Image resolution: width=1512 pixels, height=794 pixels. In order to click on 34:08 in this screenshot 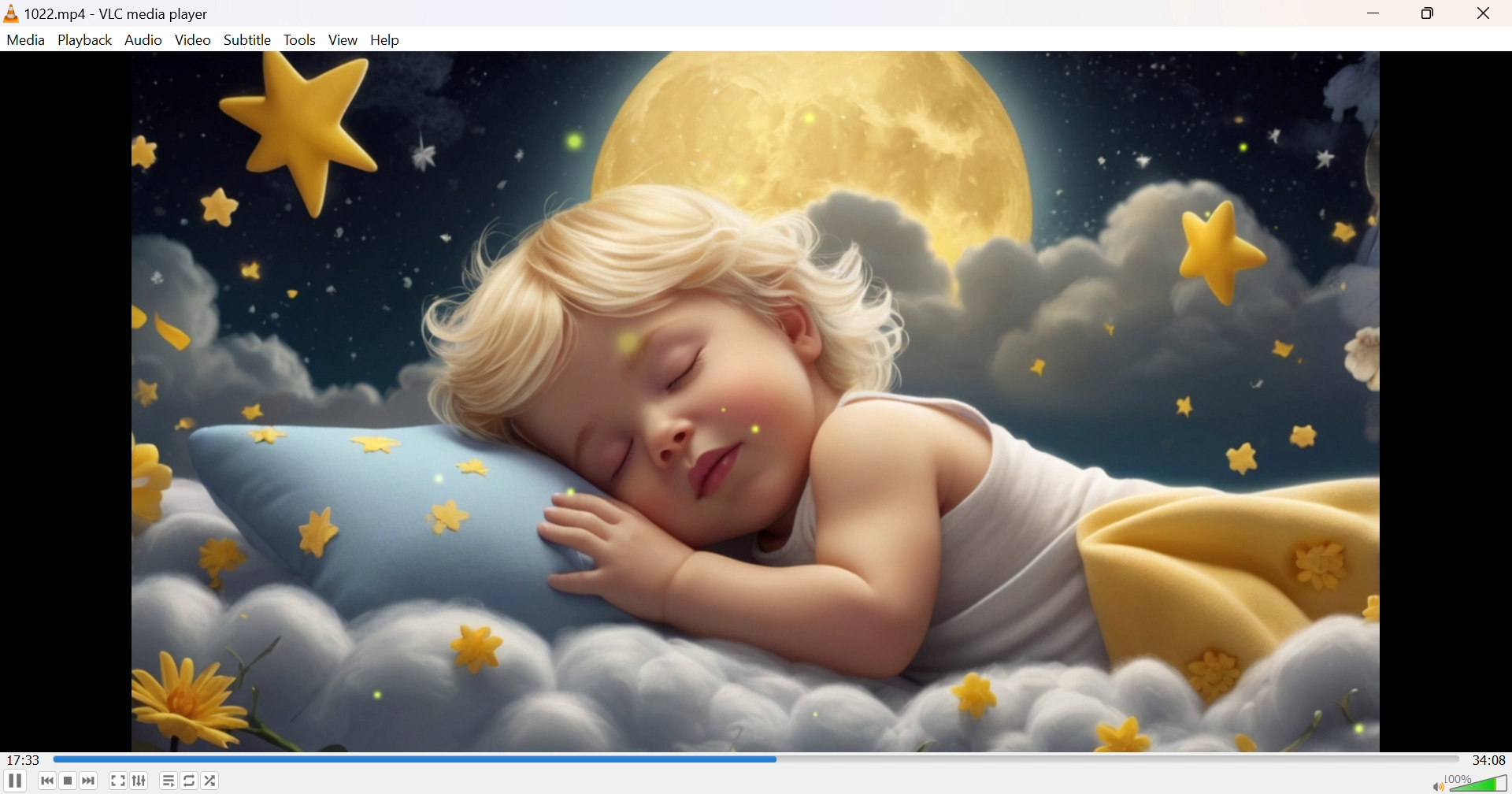, I will do `click(1489, 759)`.